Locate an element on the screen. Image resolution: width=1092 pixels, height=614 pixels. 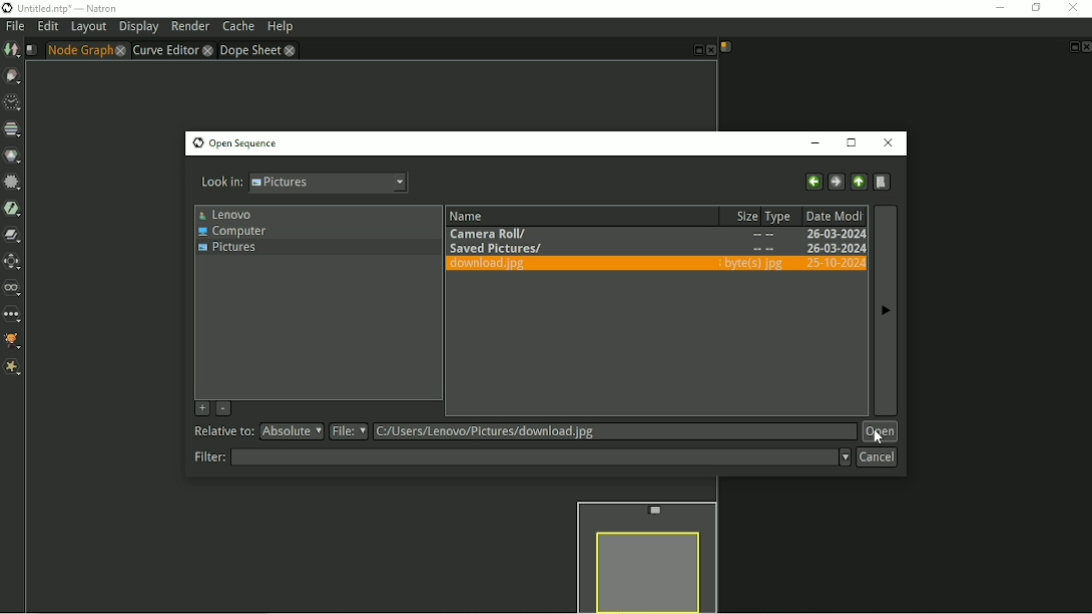
file is located at coordinates (349, 431).